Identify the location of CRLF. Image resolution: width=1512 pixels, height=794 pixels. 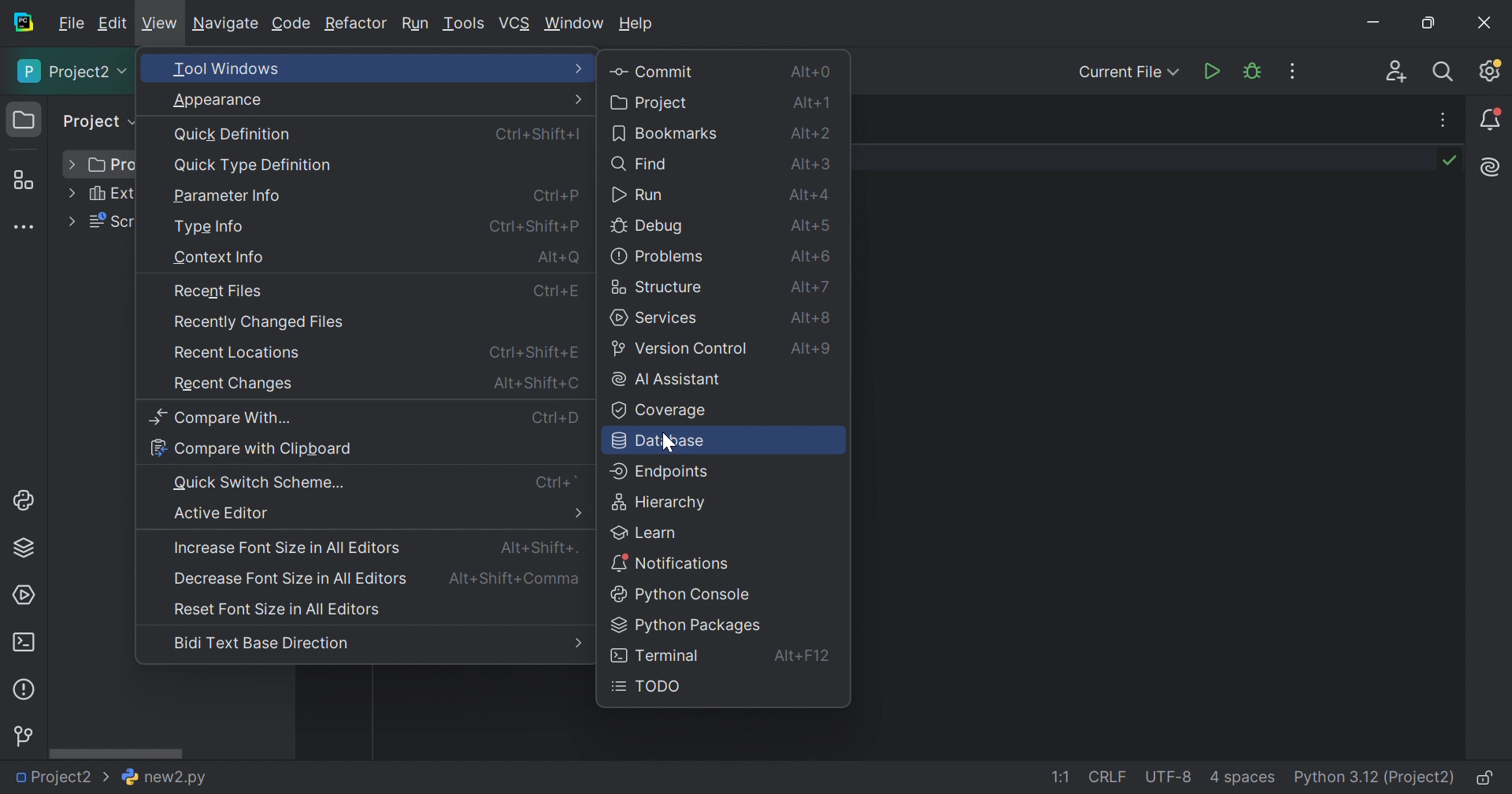
(1109, 777).